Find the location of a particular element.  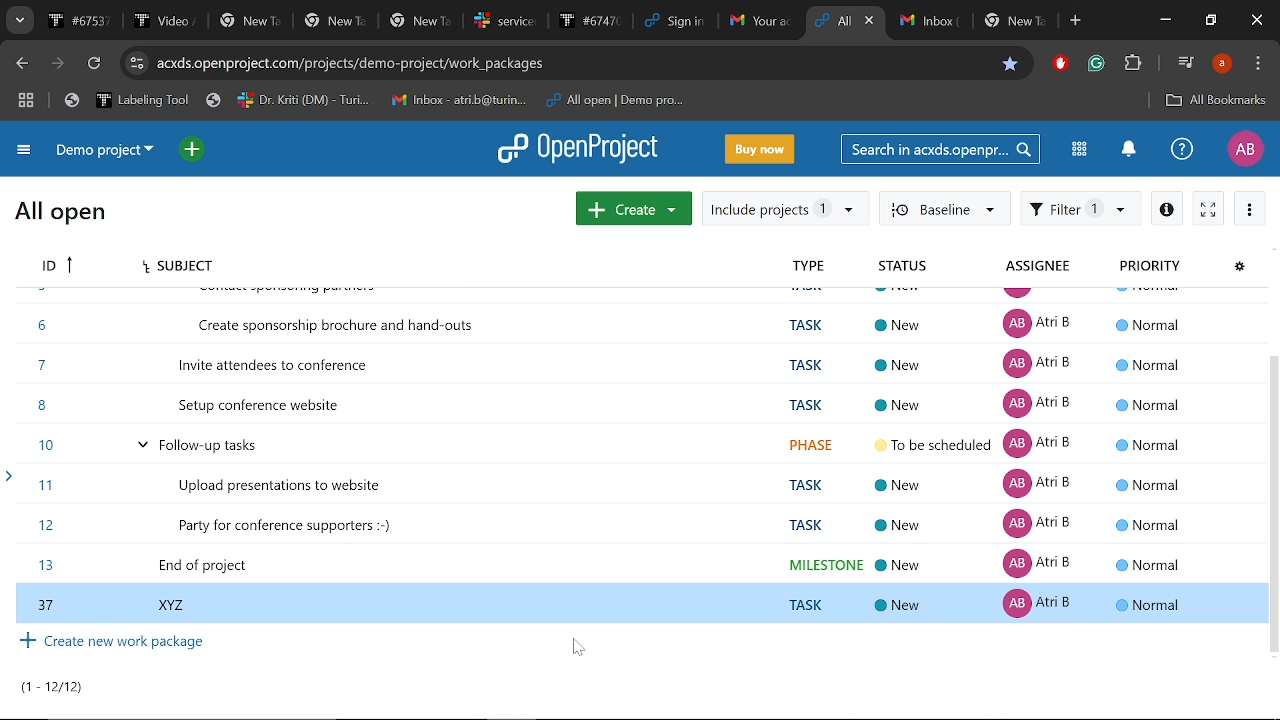

Close is located at coordinates (1258, 20).